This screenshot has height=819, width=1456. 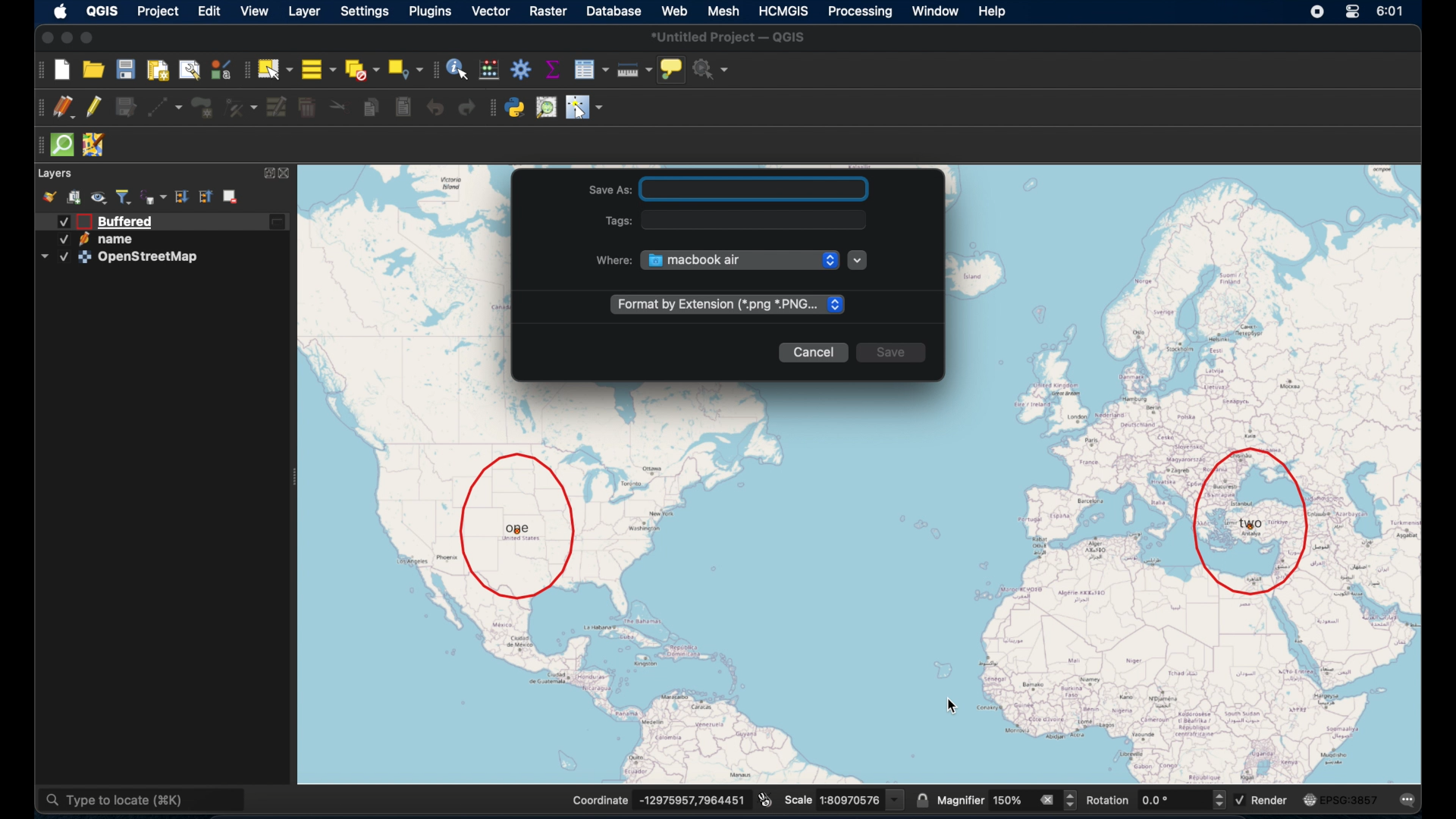 I want to click on manage map theme, so click(x=99, y=198).